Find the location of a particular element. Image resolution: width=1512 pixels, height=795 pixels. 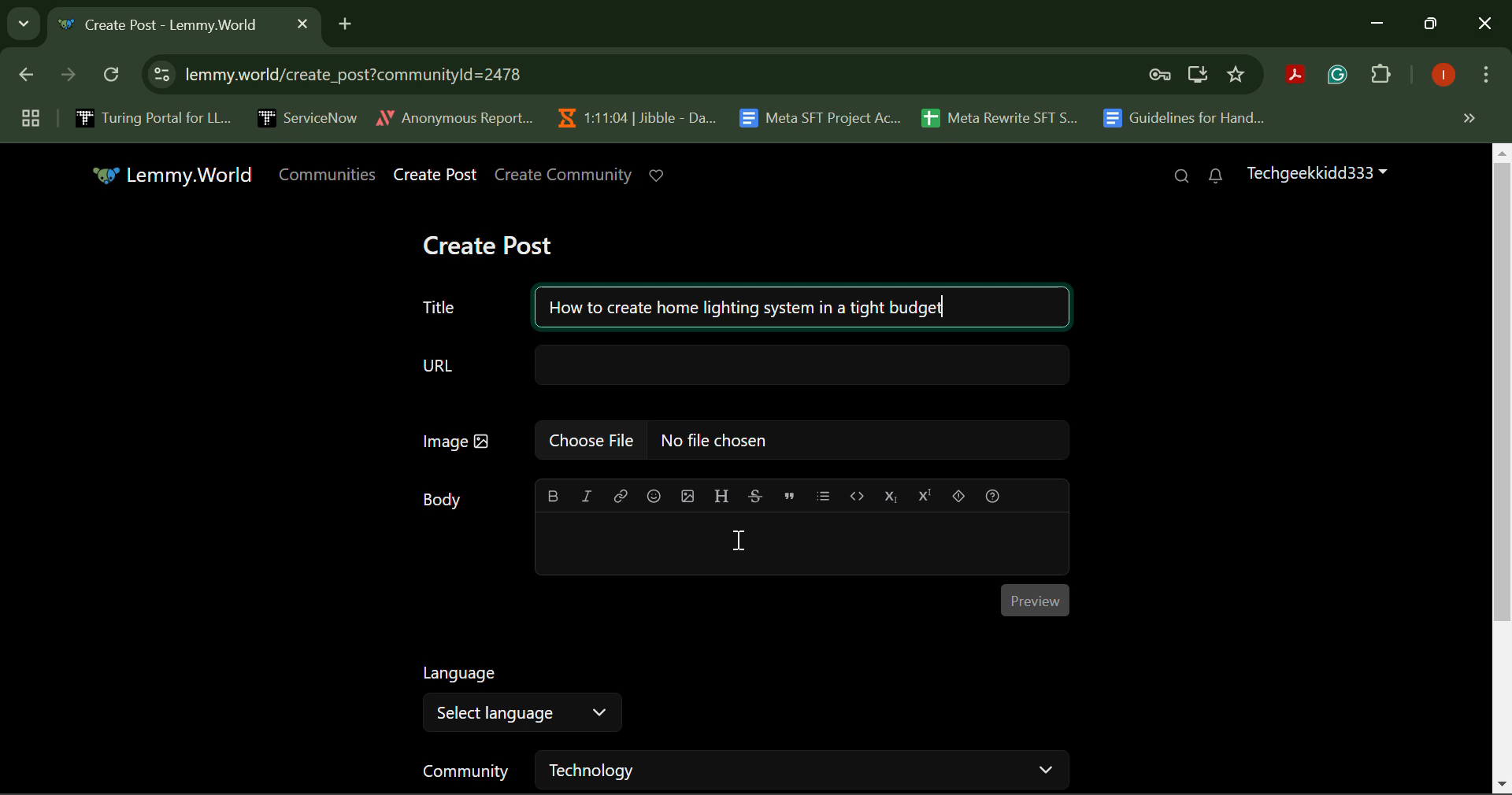

Cursor on Post Text Box is located at coordinates (737, 542).